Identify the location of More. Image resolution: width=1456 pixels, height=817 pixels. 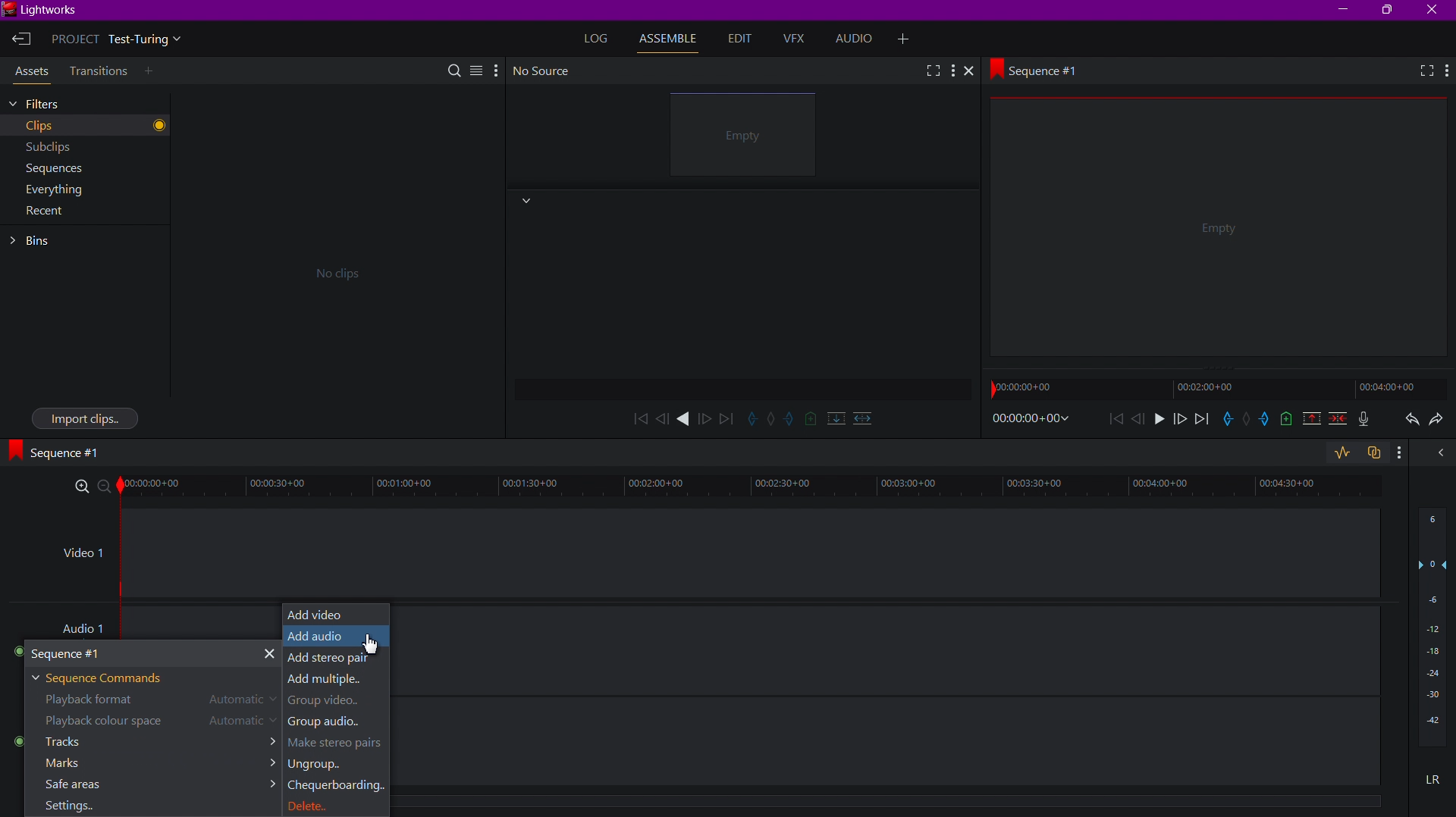
(1446, 71).